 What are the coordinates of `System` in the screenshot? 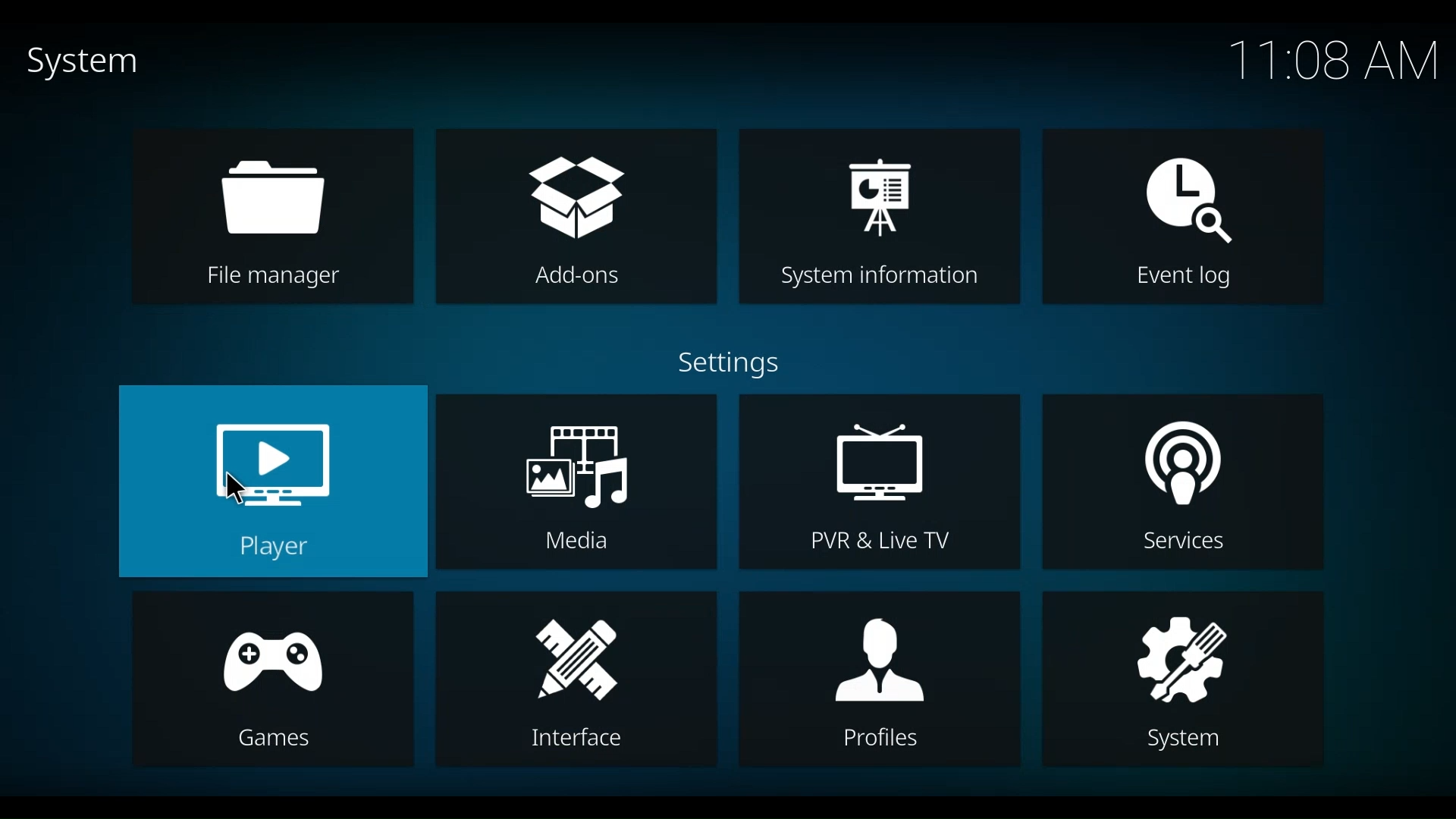 It's located at (85, 65).